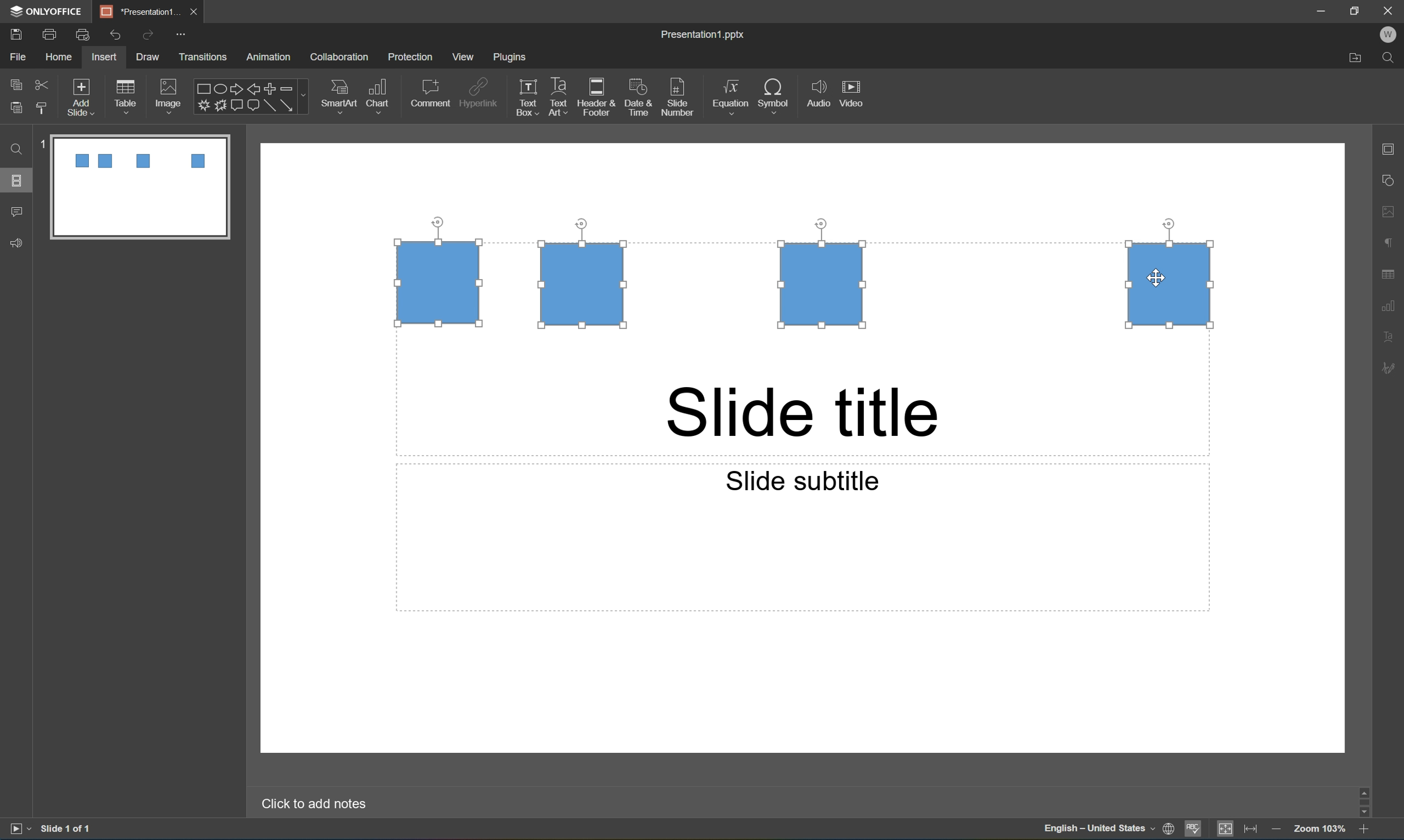 The width and height of the screenshot is (1404, 840). Describe the element at coordinates (555, 98) in the screenshot. I see `text art` at that location.